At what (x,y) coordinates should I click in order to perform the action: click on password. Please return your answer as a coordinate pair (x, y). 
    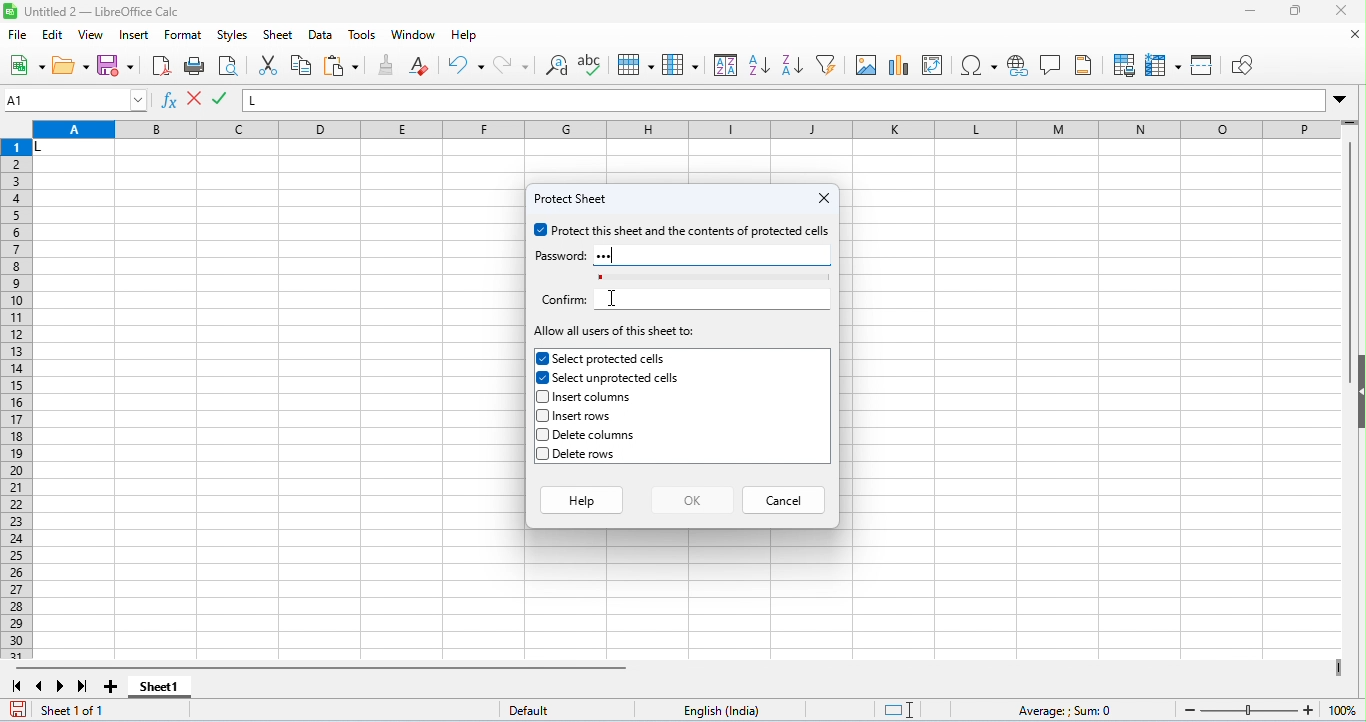
    Looking at the image, I should click on (559, 256).